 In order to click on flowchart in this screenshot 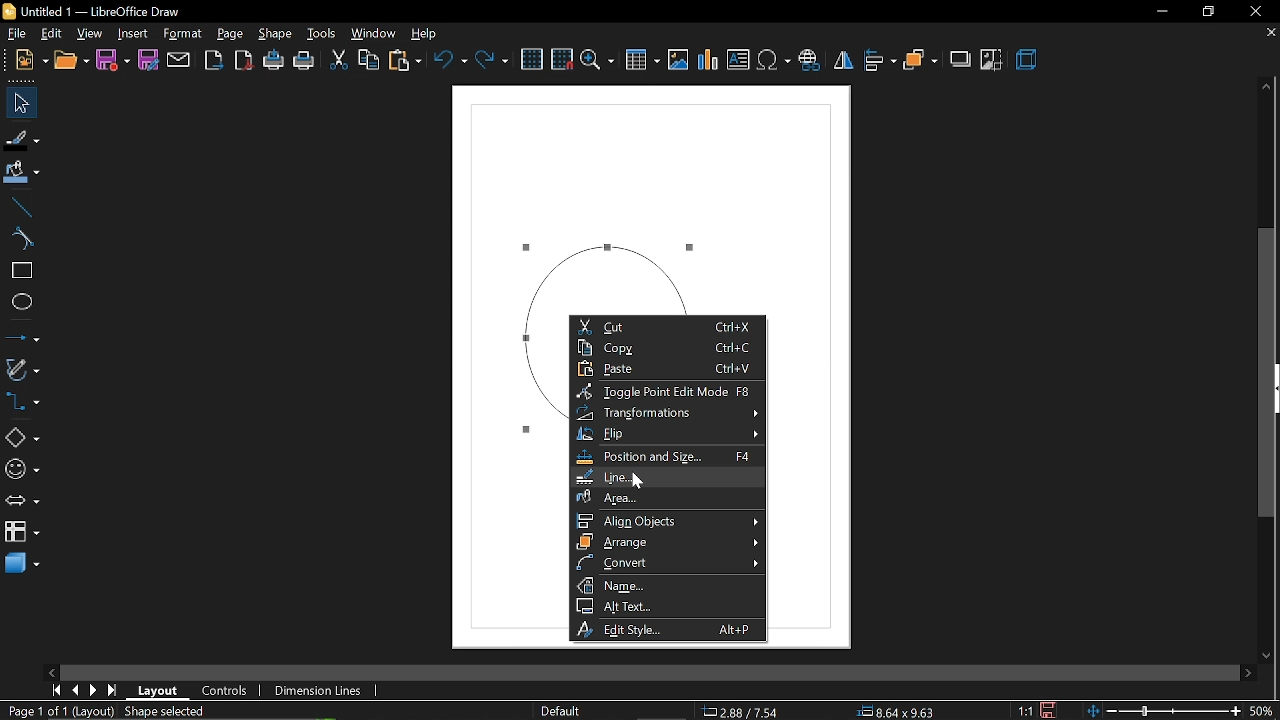, I will do `click(20, 530)`.